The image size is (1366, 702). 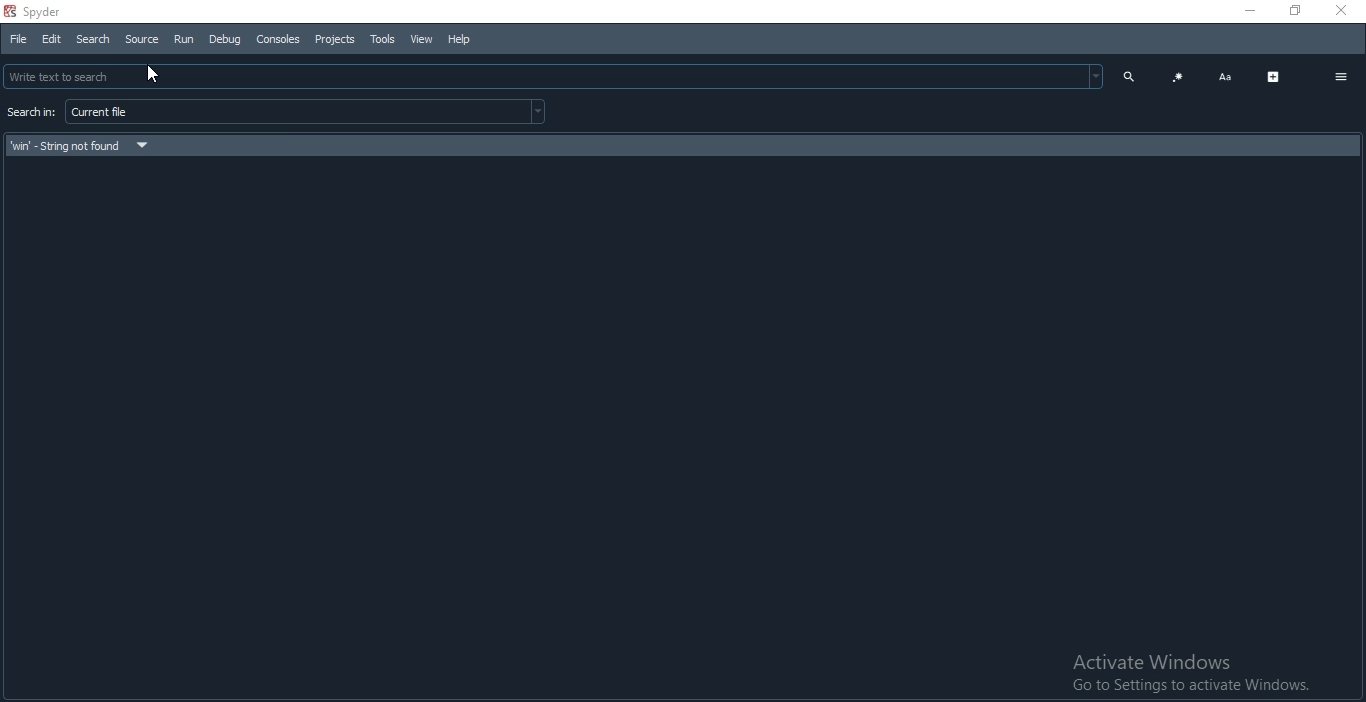 What do you see at coordinates (419, 39) in the screenshot?
I see `View` at bounding box center [419, 39].